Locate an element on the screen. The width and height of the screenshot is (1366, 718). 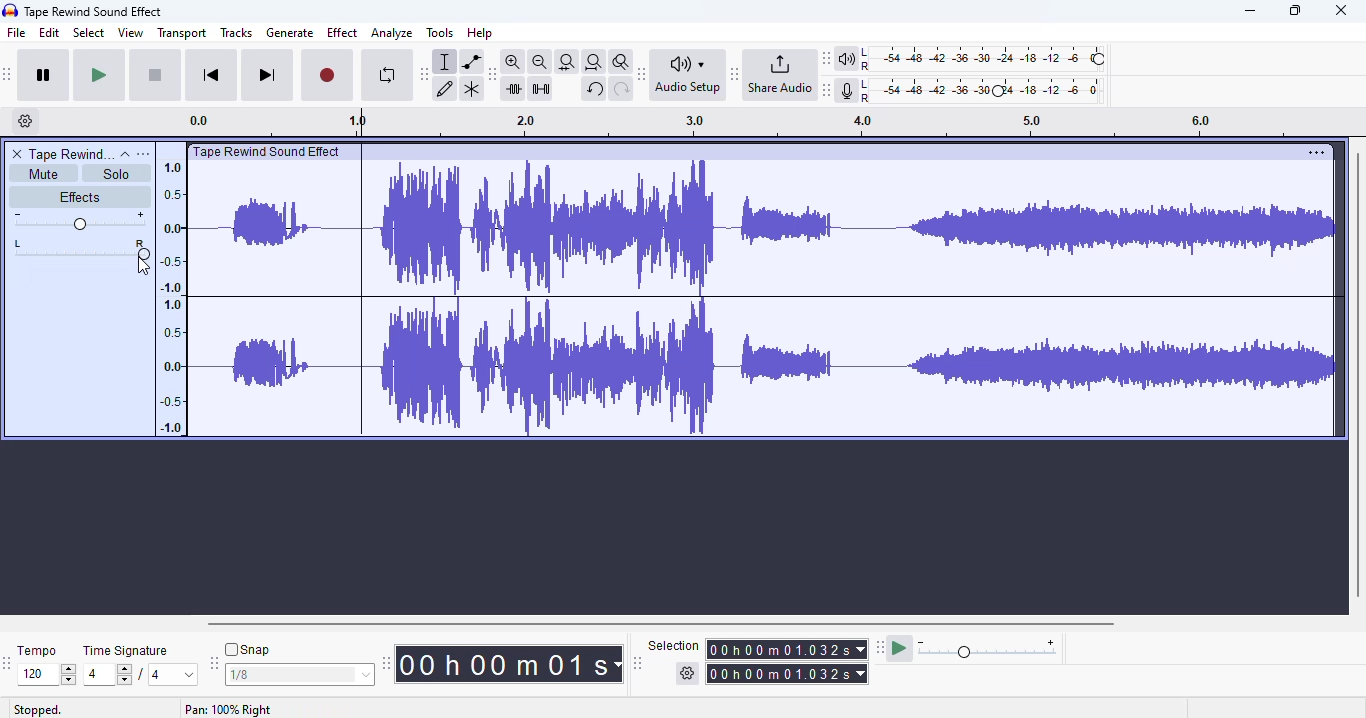
snap is located at coordinates (247, 649).